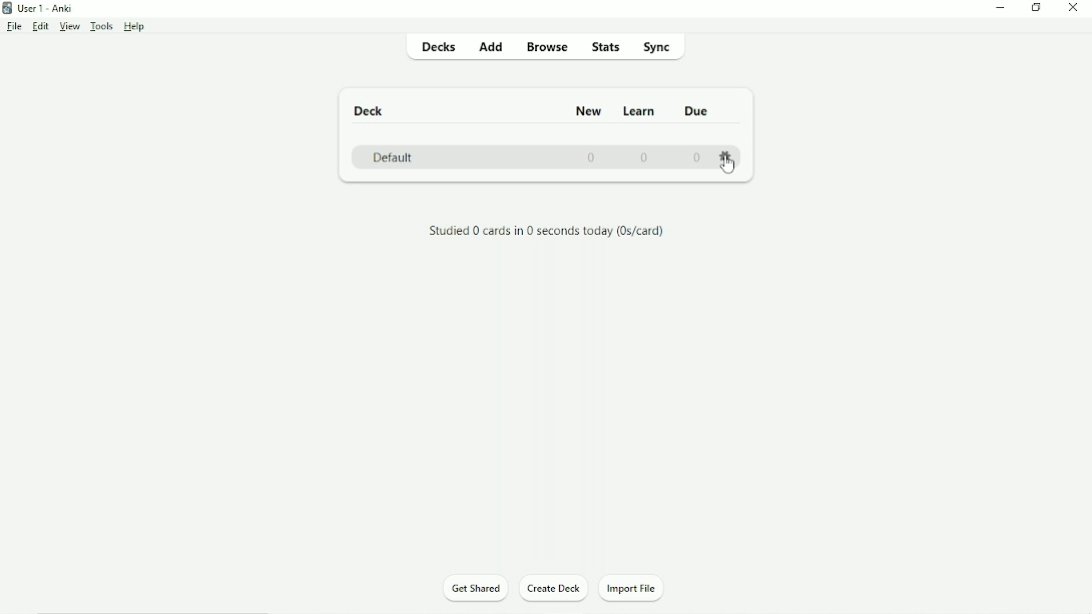 The height and width of the screenshot is (614, 1092). Describe the element at coordinates (392, 156) in the screenshot. I see `Default` at that location.